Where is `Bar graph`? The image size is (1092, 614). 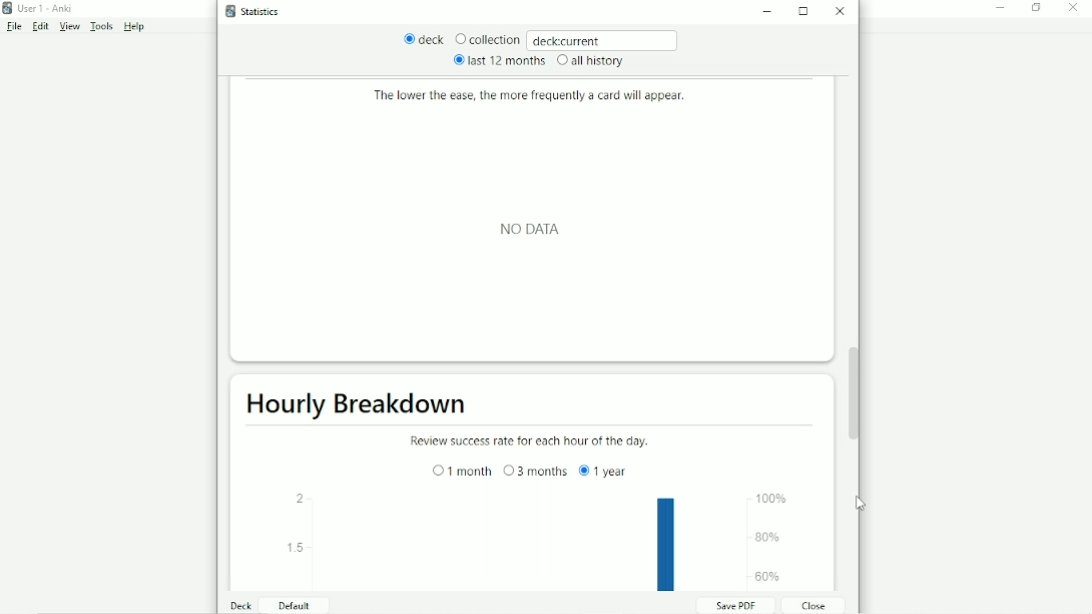 Bar graph is located at coordinates (555, 540).